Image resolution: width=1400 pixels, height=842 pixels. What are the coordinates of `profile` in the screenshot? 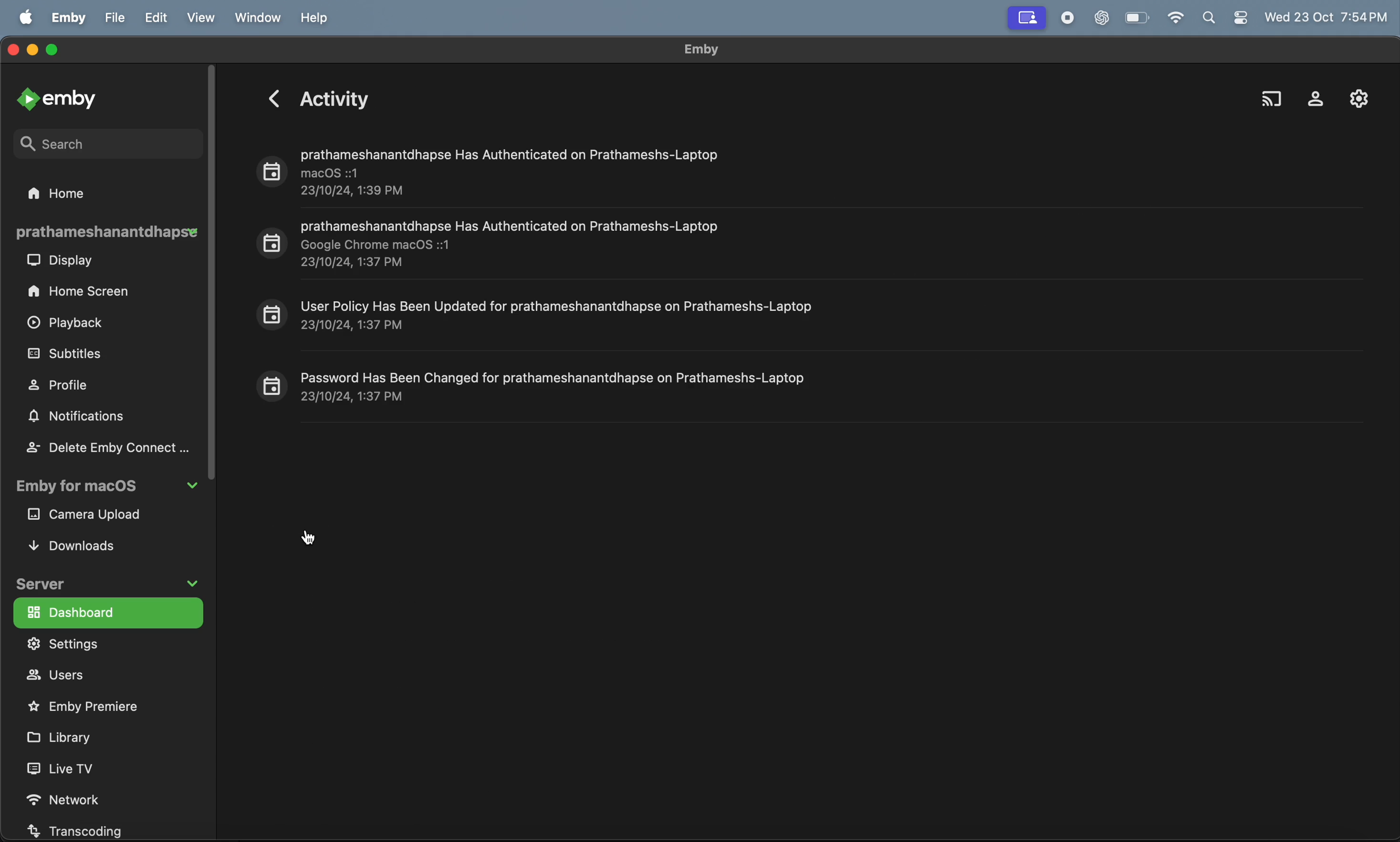 It's located at (1310, 96).